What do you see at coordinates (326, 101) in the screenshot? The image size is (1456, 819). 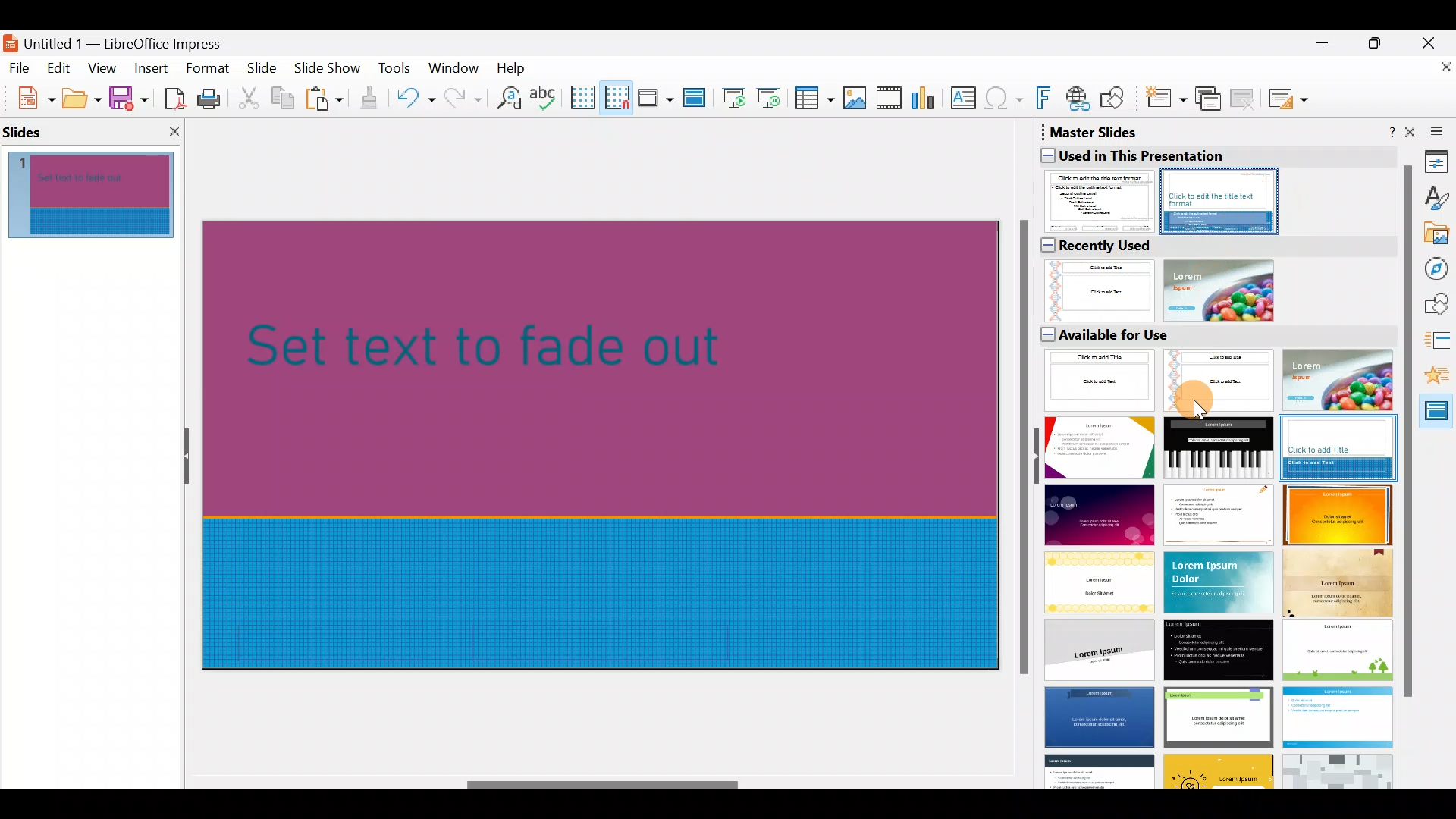 I see `Paste` at bounding box center [326, 101].